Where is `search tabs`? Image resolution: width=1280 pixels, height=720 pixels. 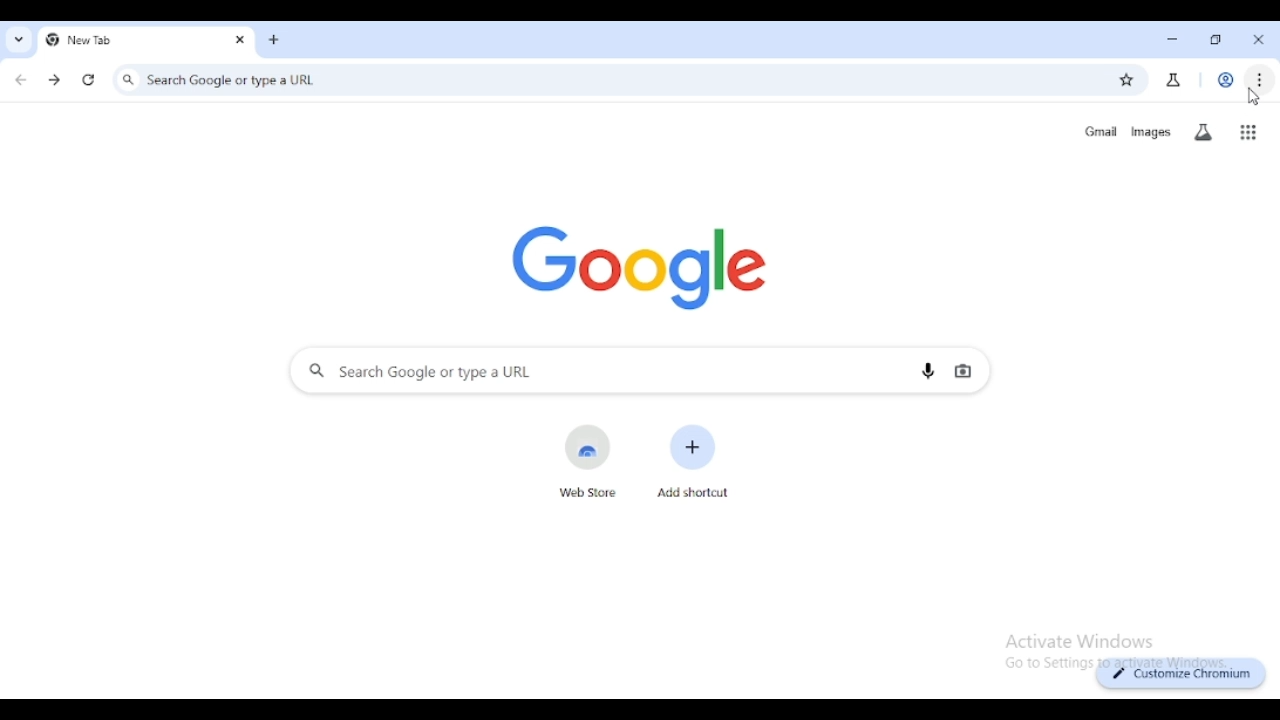 search tabs is located at coordinates (18, 40).